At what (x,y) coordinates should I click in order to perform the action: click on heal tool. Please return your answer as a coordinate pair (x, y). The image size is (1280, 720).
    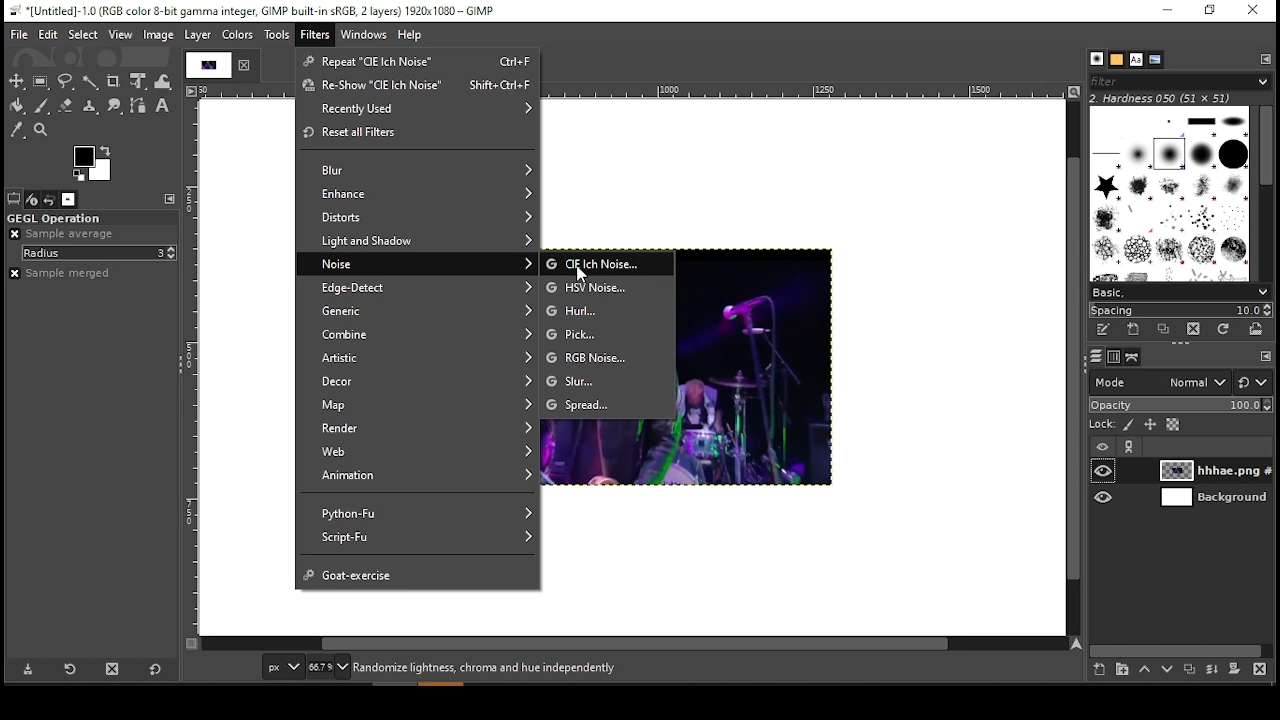
    Looking at the image, I should click on (87, 107).